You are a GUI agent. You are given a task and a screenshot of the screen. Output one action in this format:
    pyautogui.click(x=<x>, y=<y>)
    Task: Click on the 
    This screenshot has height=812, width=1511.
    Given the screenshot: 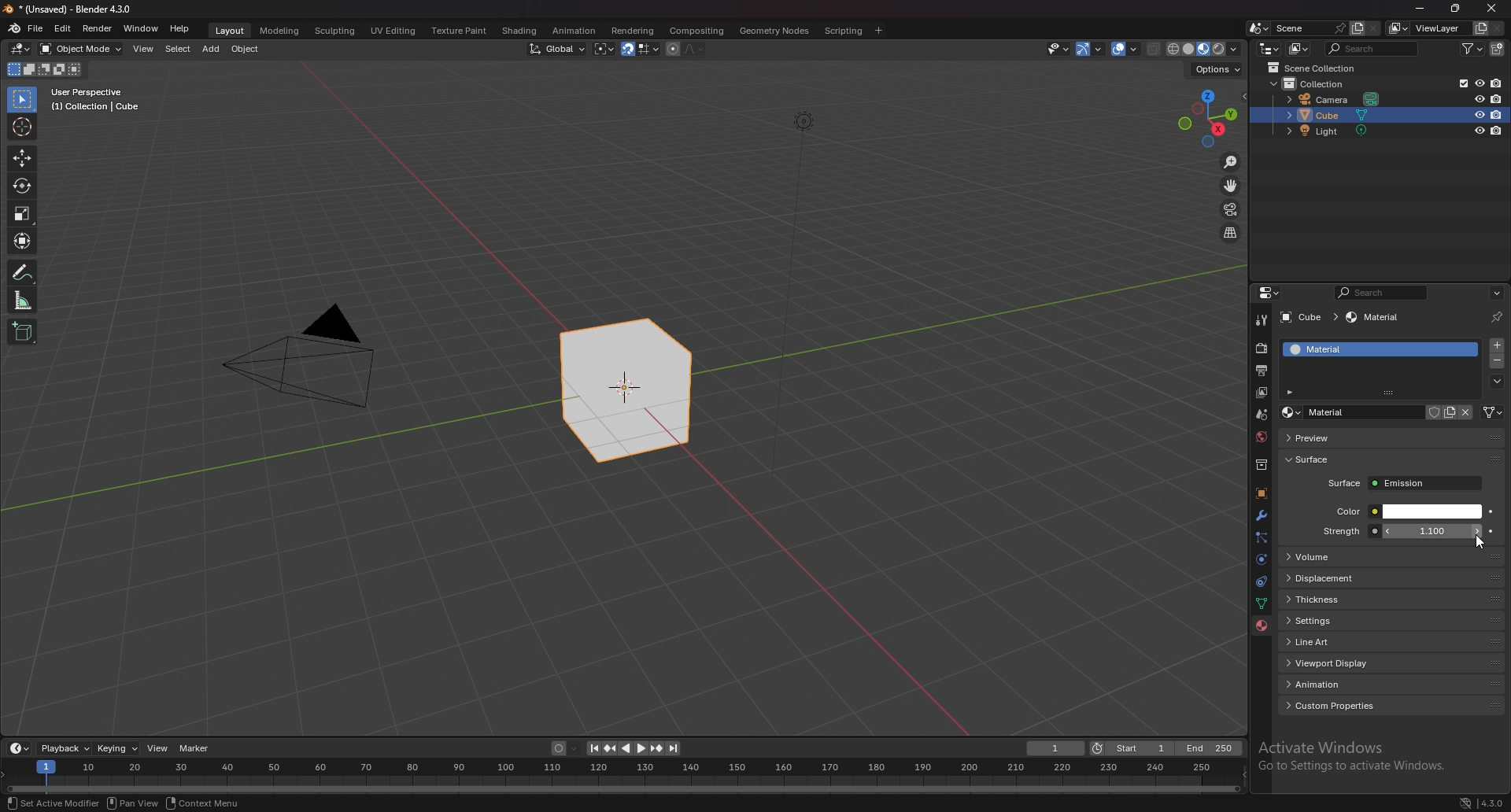 What is the action you would take?
    pyautogui.click(x=1493, y=10)
    